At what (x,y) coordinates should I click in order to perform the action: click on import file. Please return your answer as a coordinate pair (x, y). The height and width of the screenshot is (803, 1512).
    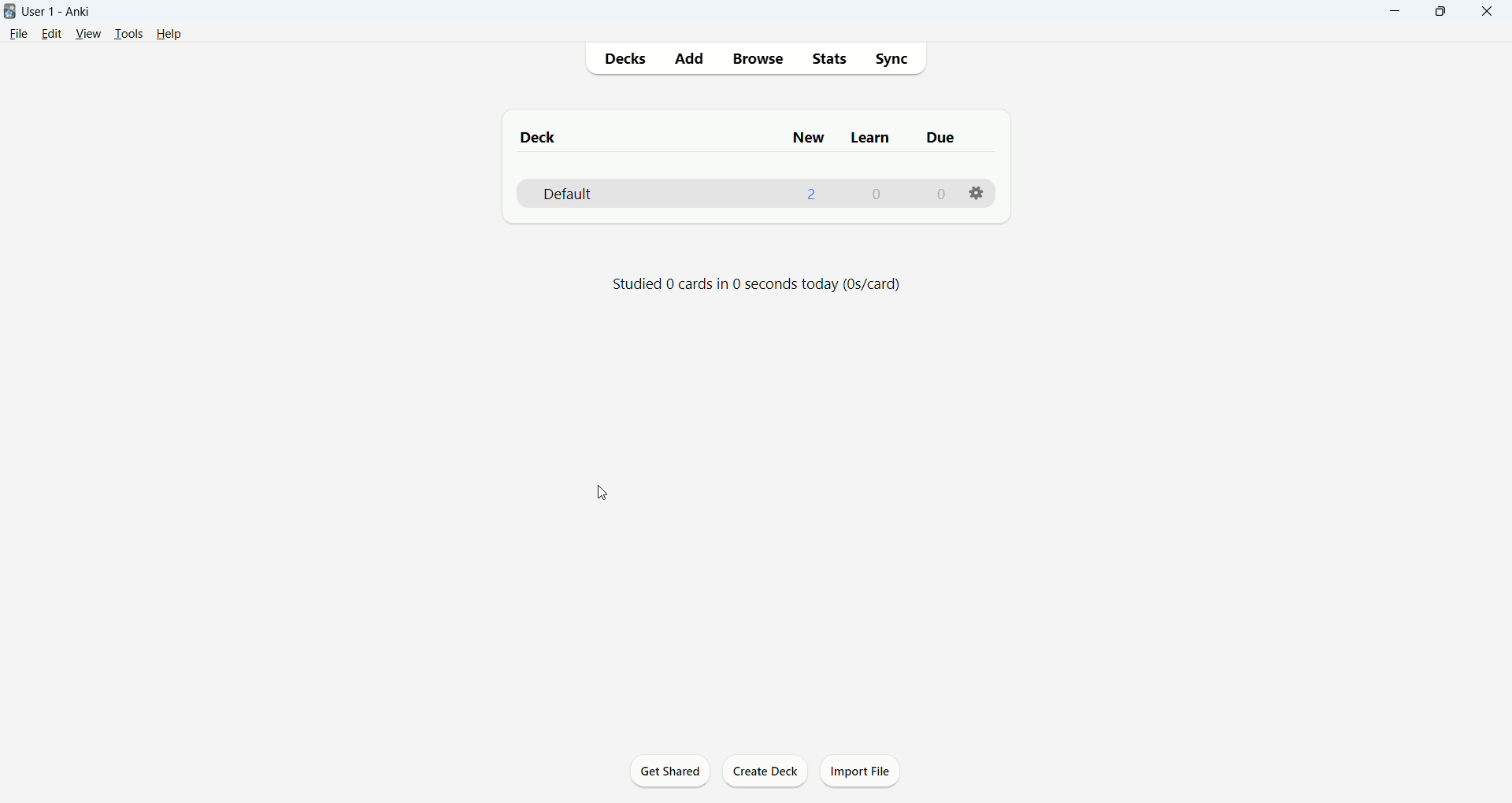
    Looking at the image, I should click on (861, 771).